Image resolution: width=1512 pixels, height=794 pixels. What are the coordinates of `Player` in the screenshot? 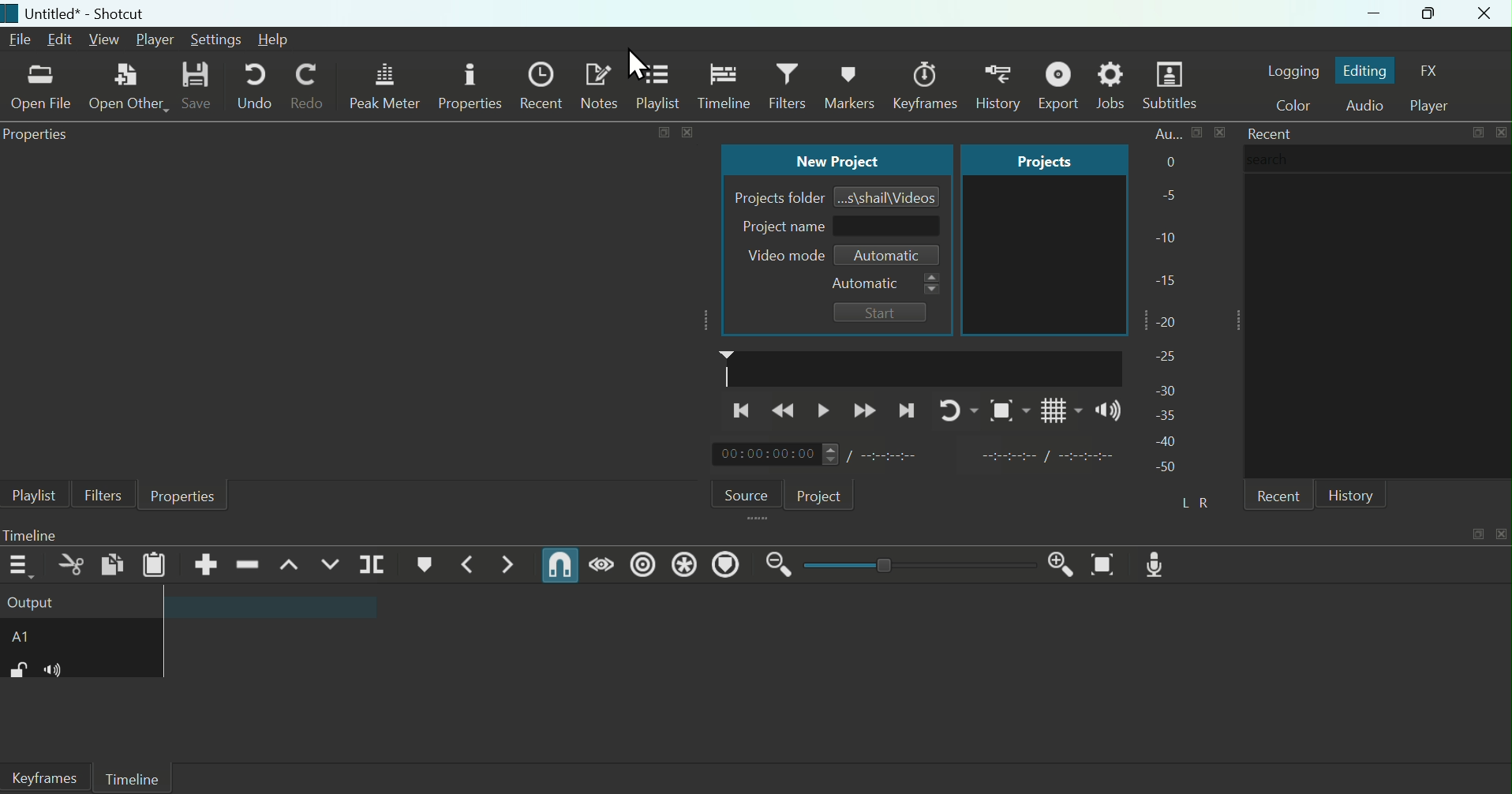 It's located at (1436, 103).